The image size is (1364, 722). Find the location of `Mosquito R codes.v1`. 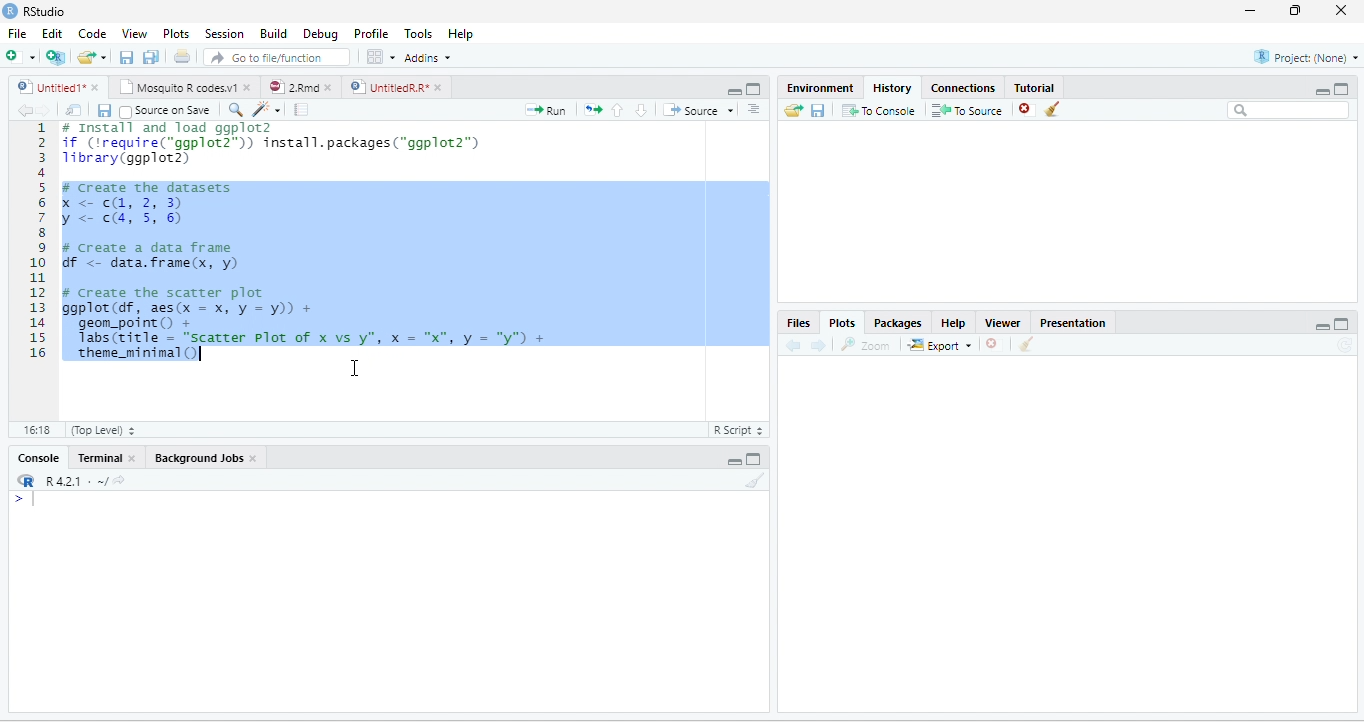

Mosquito R codes.v1 is located at coordinates (176, 87).